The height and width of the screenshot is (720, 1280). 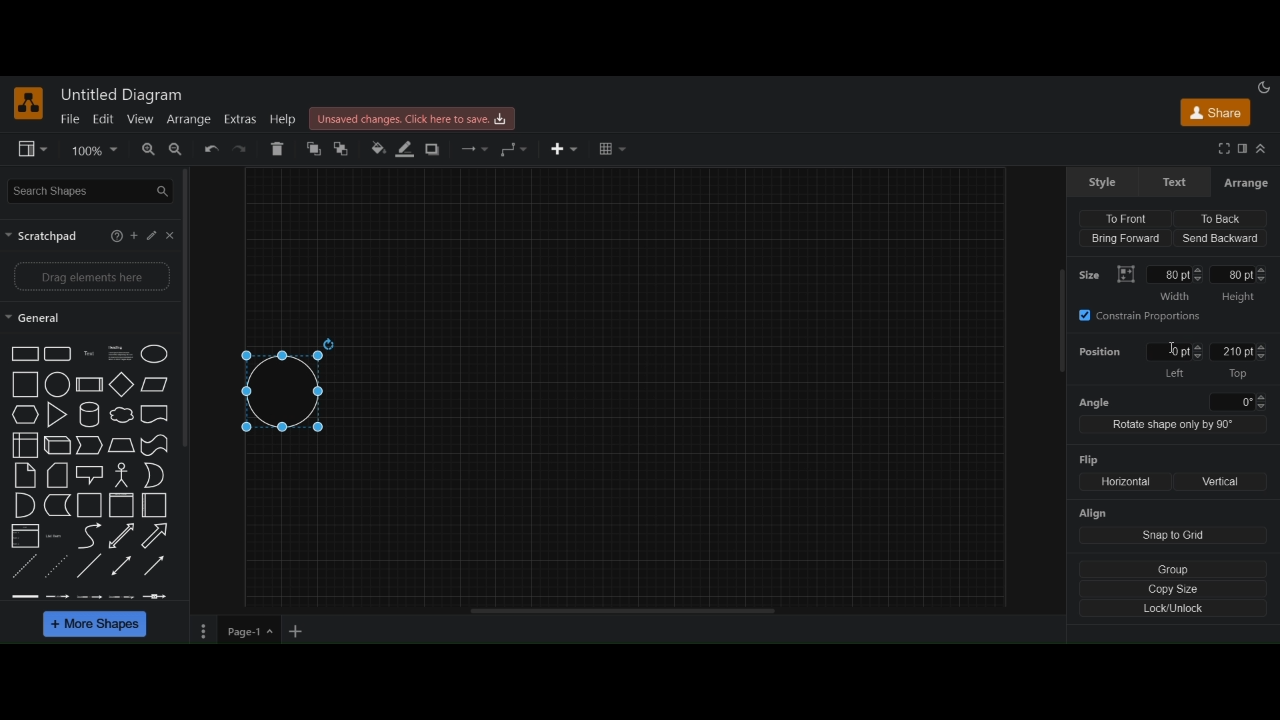 What do you see at coordinates (119, 352) in the screenshot?
I see `Para` at bounding box center [119, 352].